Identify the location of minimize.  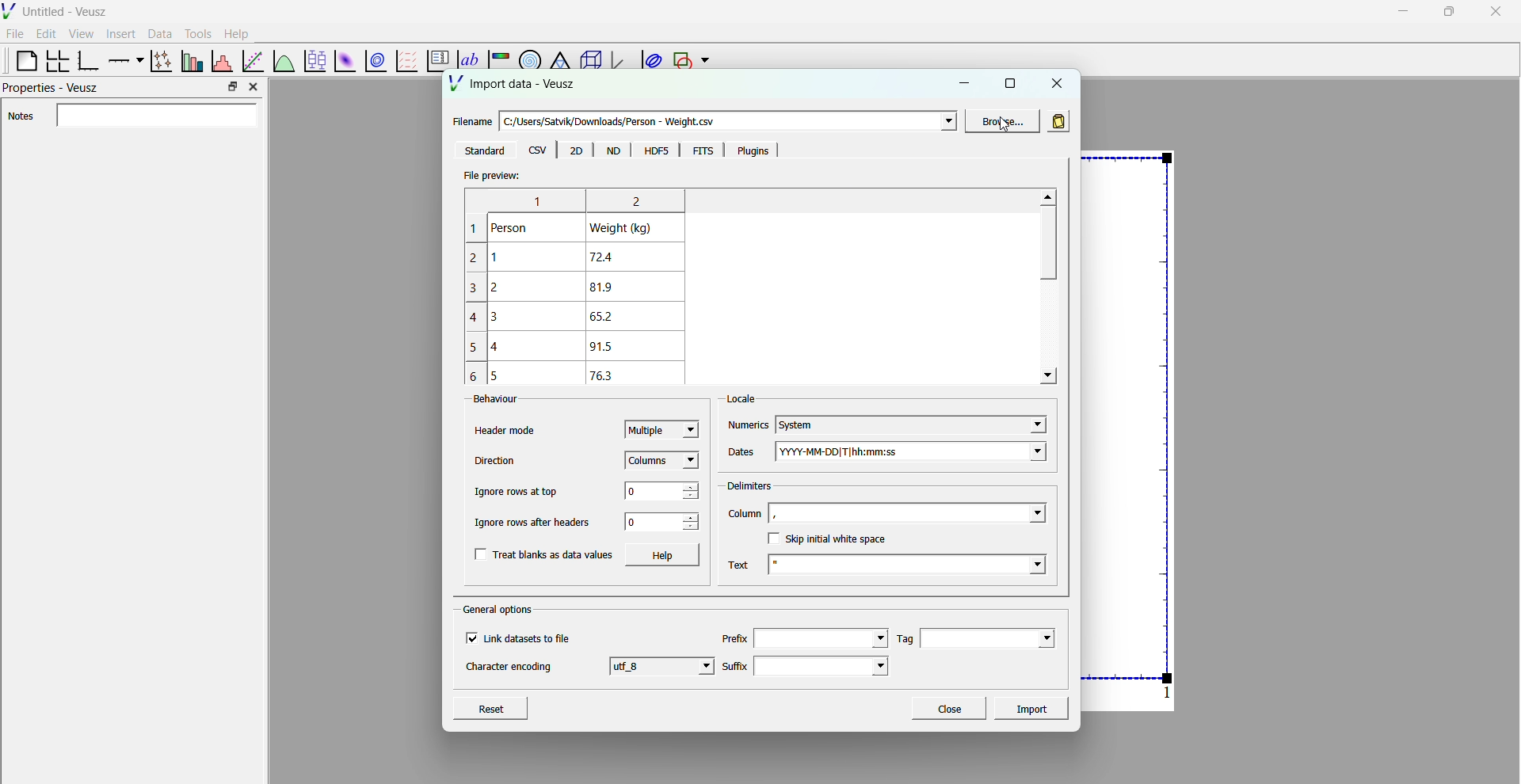
(1401, 10).